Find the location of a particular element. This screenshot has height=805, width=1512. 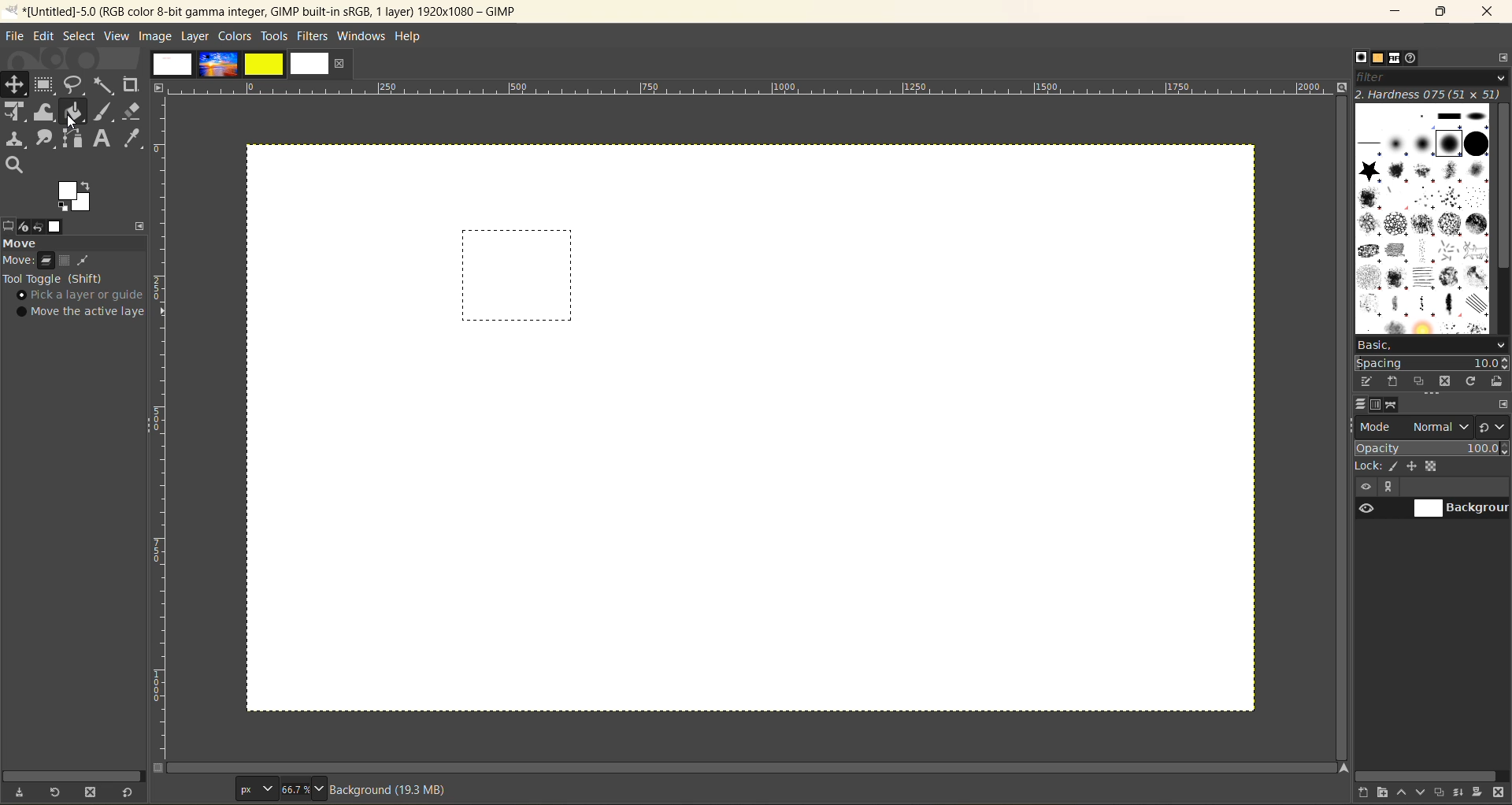

shape created is located at coordinates (518, 276).